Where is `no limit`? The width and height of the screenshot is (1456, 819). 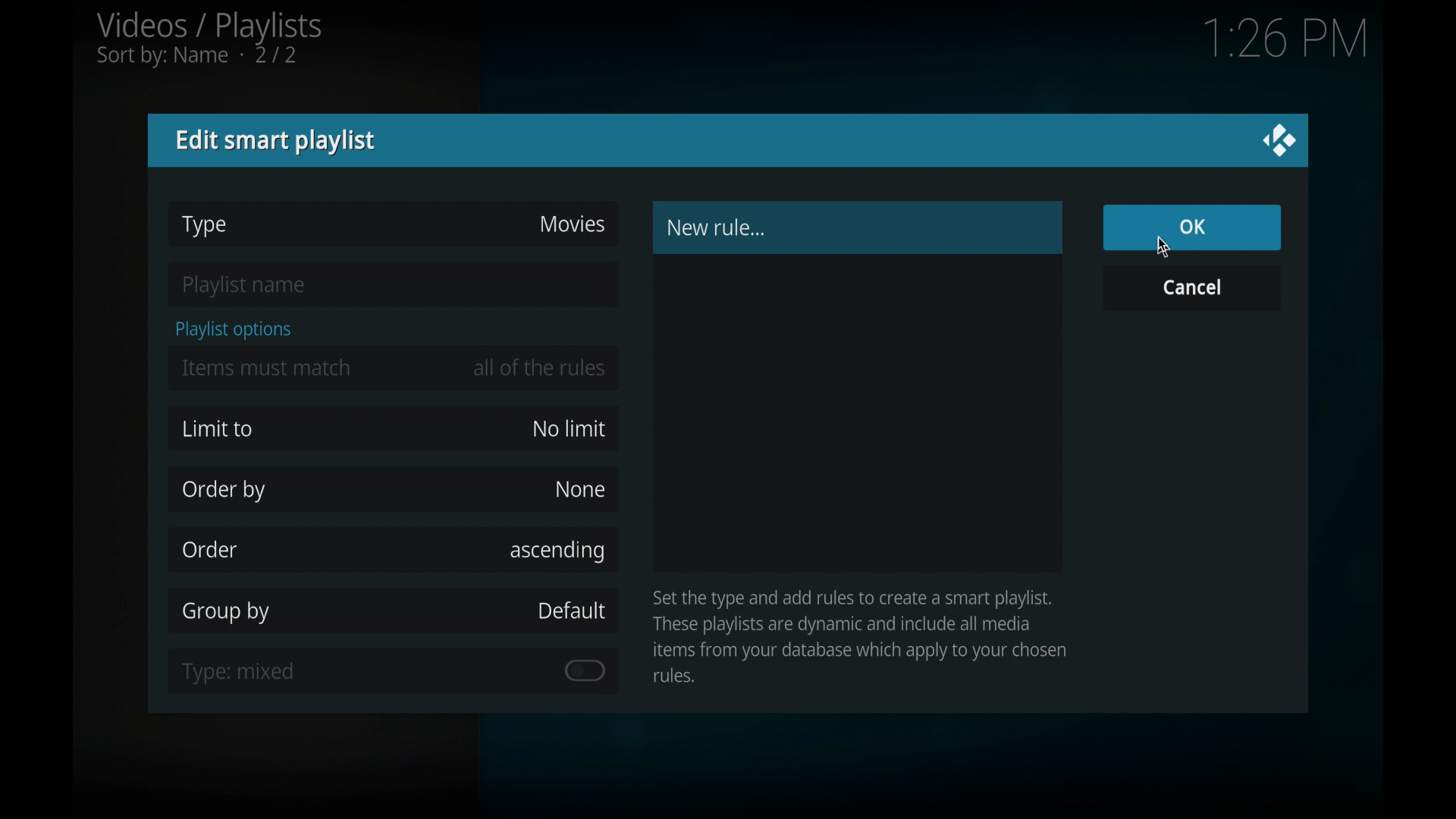
no limit is located at coordinates (569, 429).